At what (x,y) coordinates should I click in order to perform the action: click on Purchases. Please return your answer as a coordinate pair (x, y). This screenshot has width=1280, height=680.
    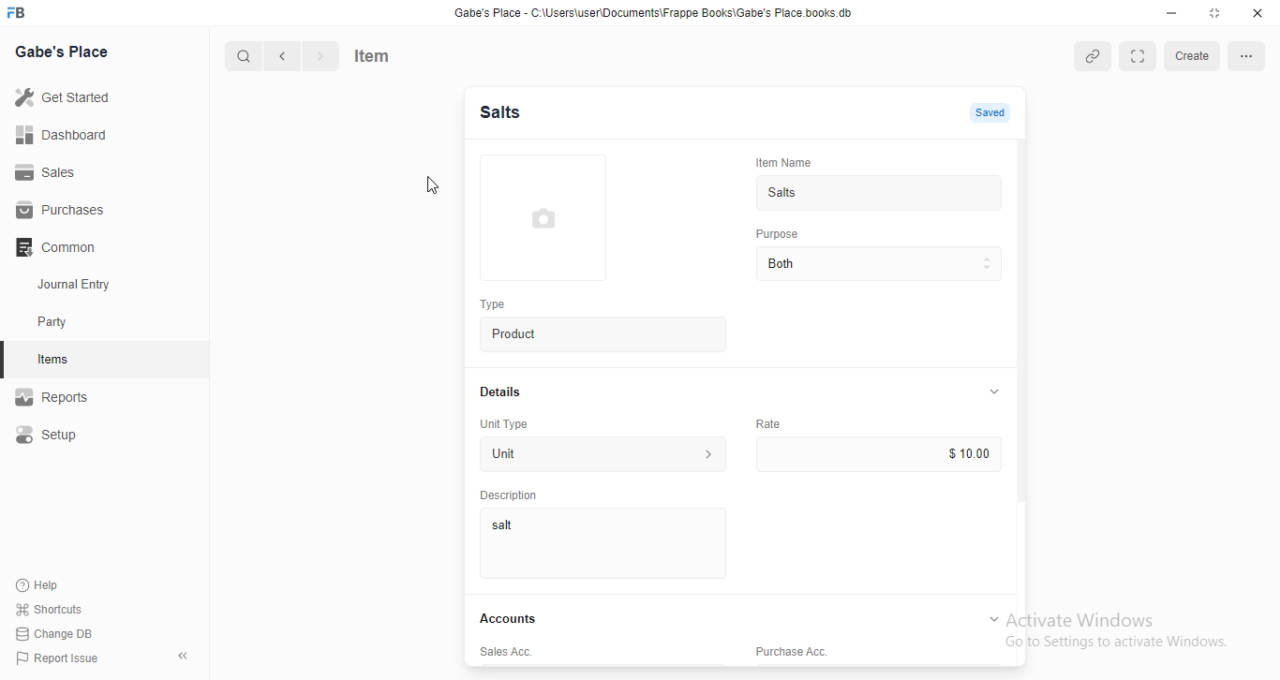
    Looking at the image, I should click on (66, 210).